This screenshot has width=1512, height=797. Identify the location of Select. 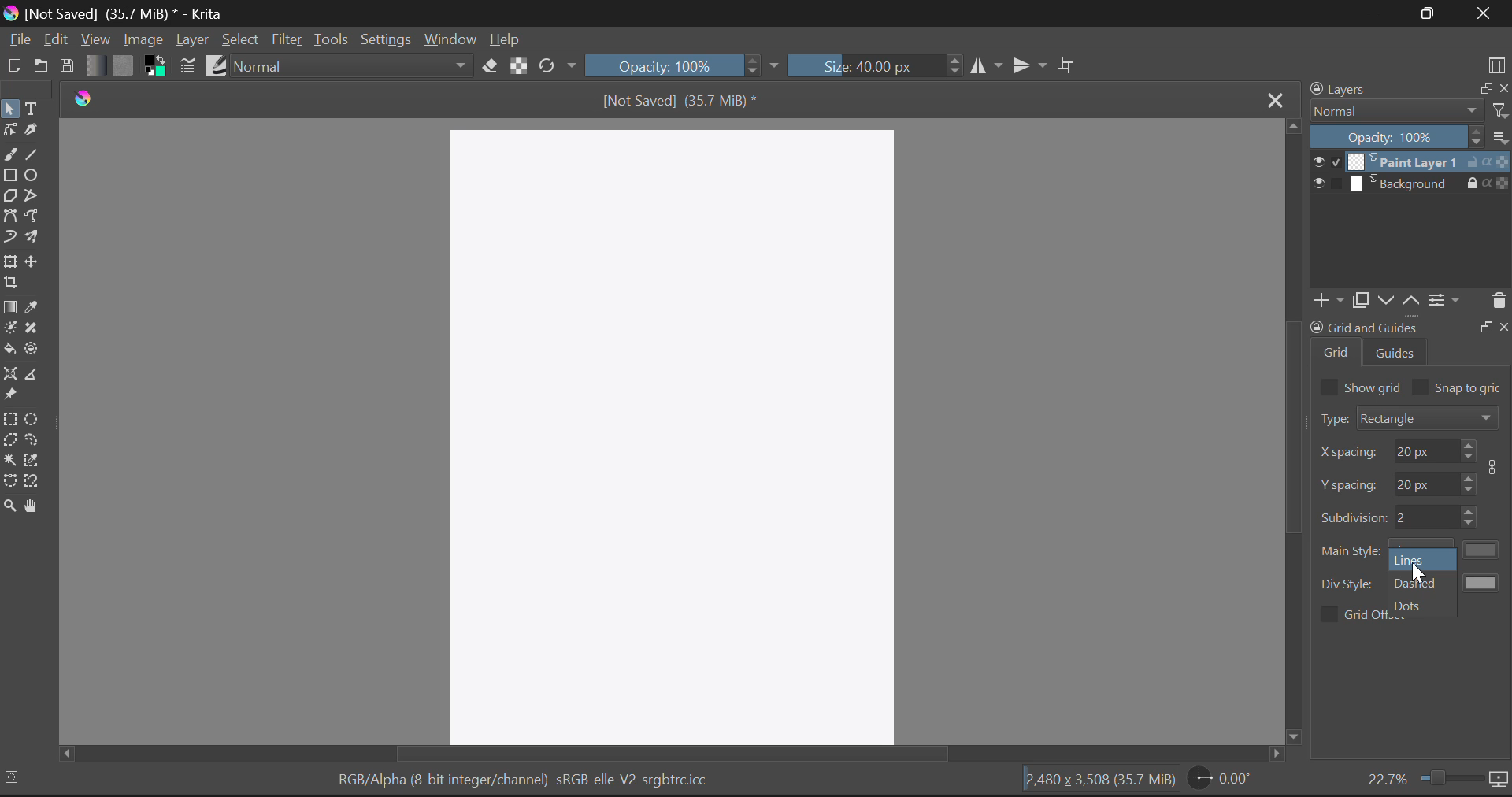
(9, 109).